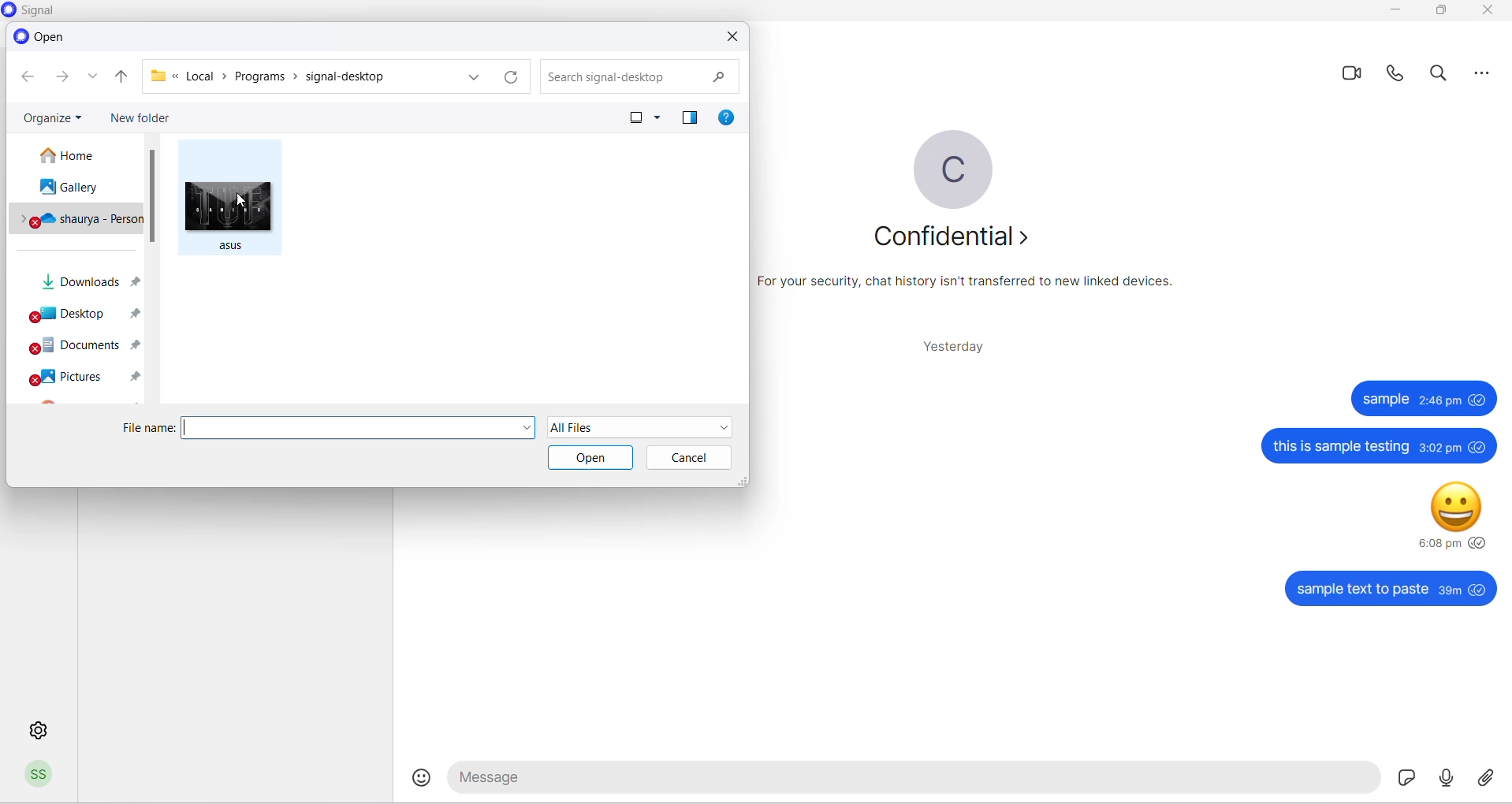 Image resolution: width=1512 pixels, height=804 pixels. I want to click on 39m, so click(1450, 591).